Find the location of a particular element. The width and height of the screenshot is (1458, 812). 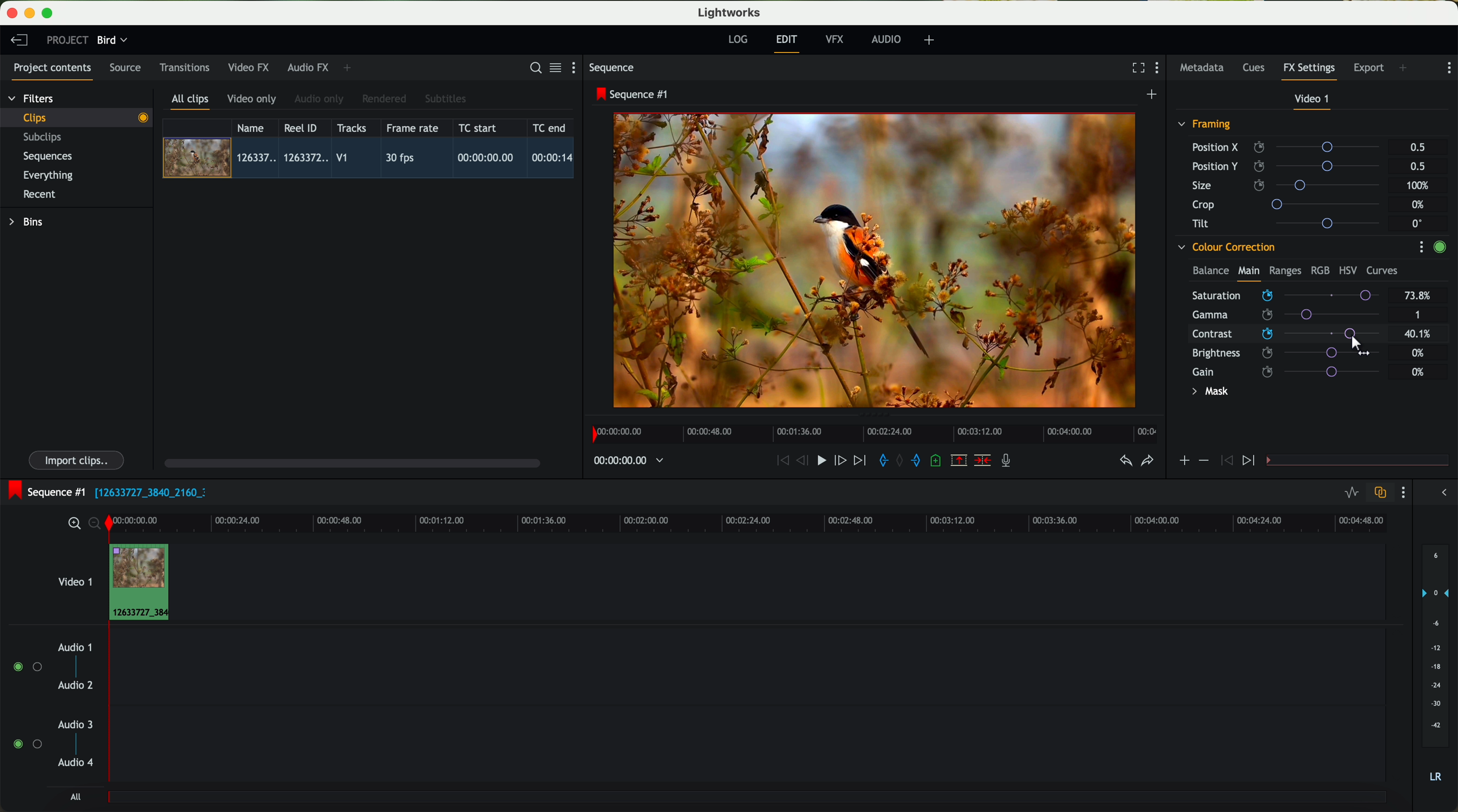

video only is located at coordinates (251, 100).